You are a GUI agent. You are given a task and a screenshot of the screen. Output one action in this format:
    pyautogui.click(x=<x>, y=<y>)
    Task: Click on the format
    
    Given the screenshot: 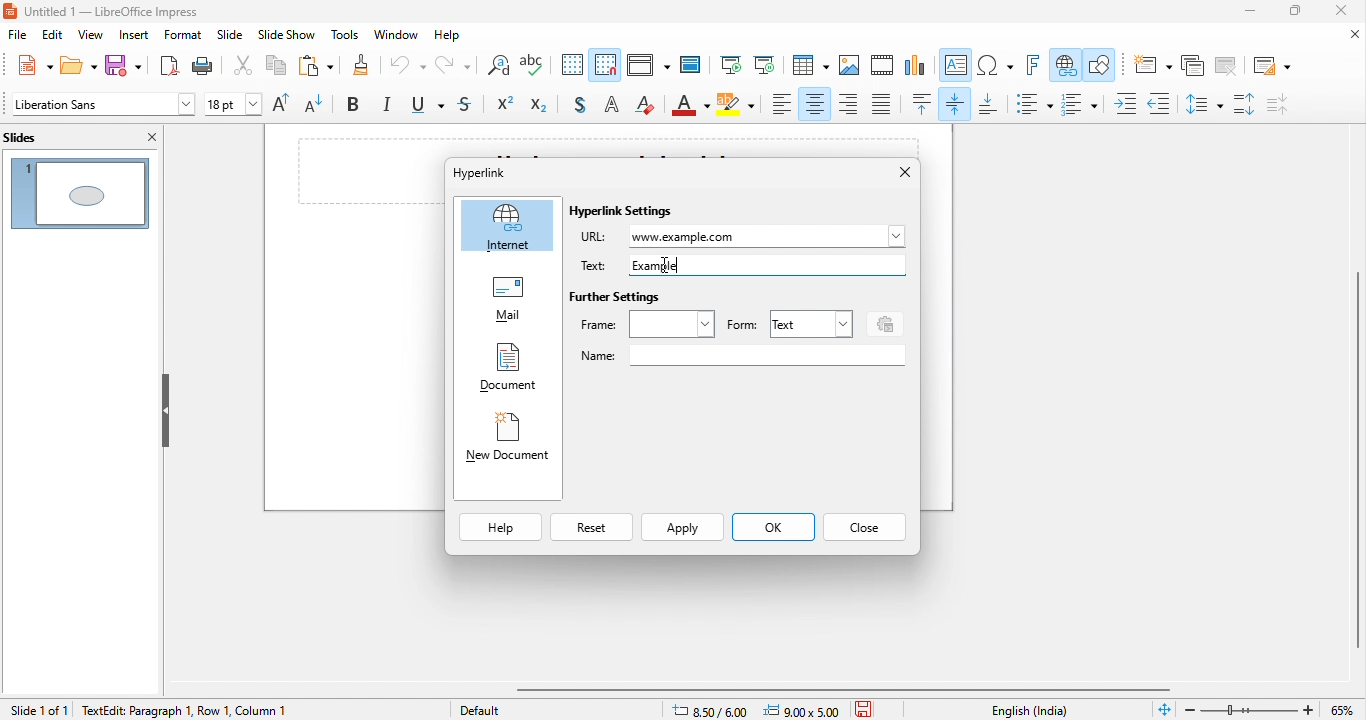 What is the action you would take?
    pyautogui.click(x=183, y=36)
    